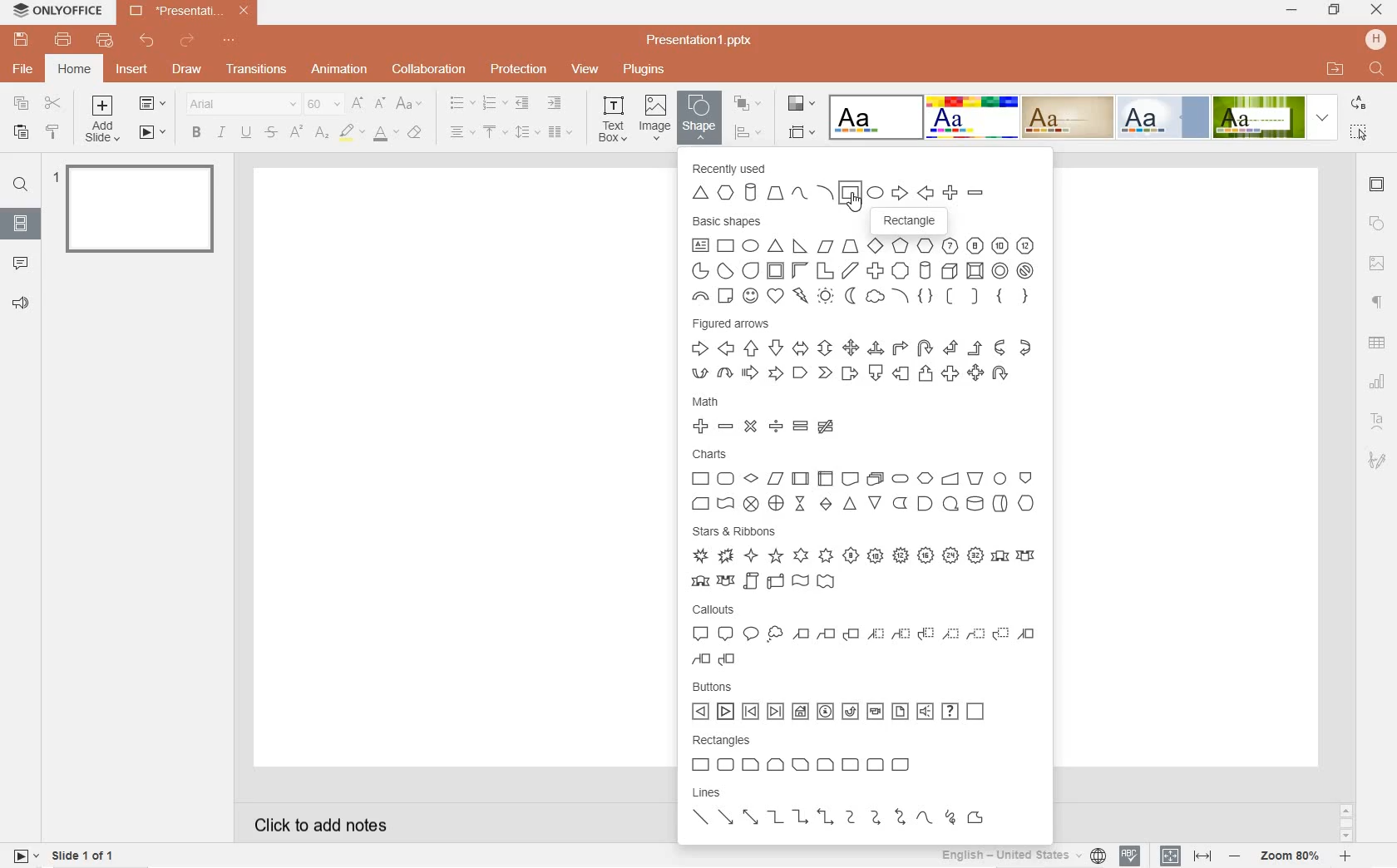 Image resolution: width=1397 pixels, height=868 pixels. What do you see at coordinates (874, 502) in the screenshot?
I see `Merge` at bounding box center [874, 502].